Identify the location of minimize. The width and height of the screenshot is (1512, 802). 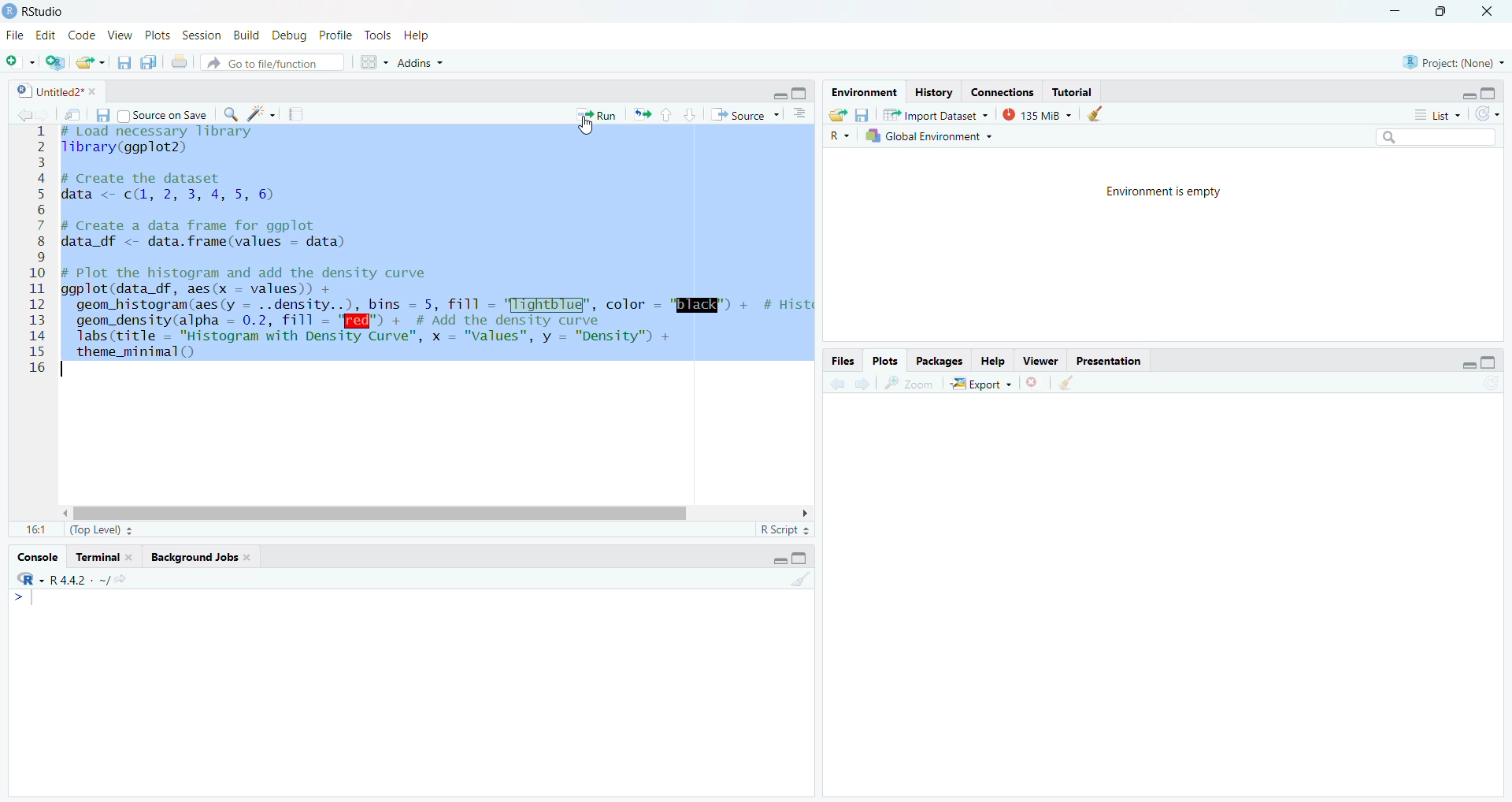
(780, 561).